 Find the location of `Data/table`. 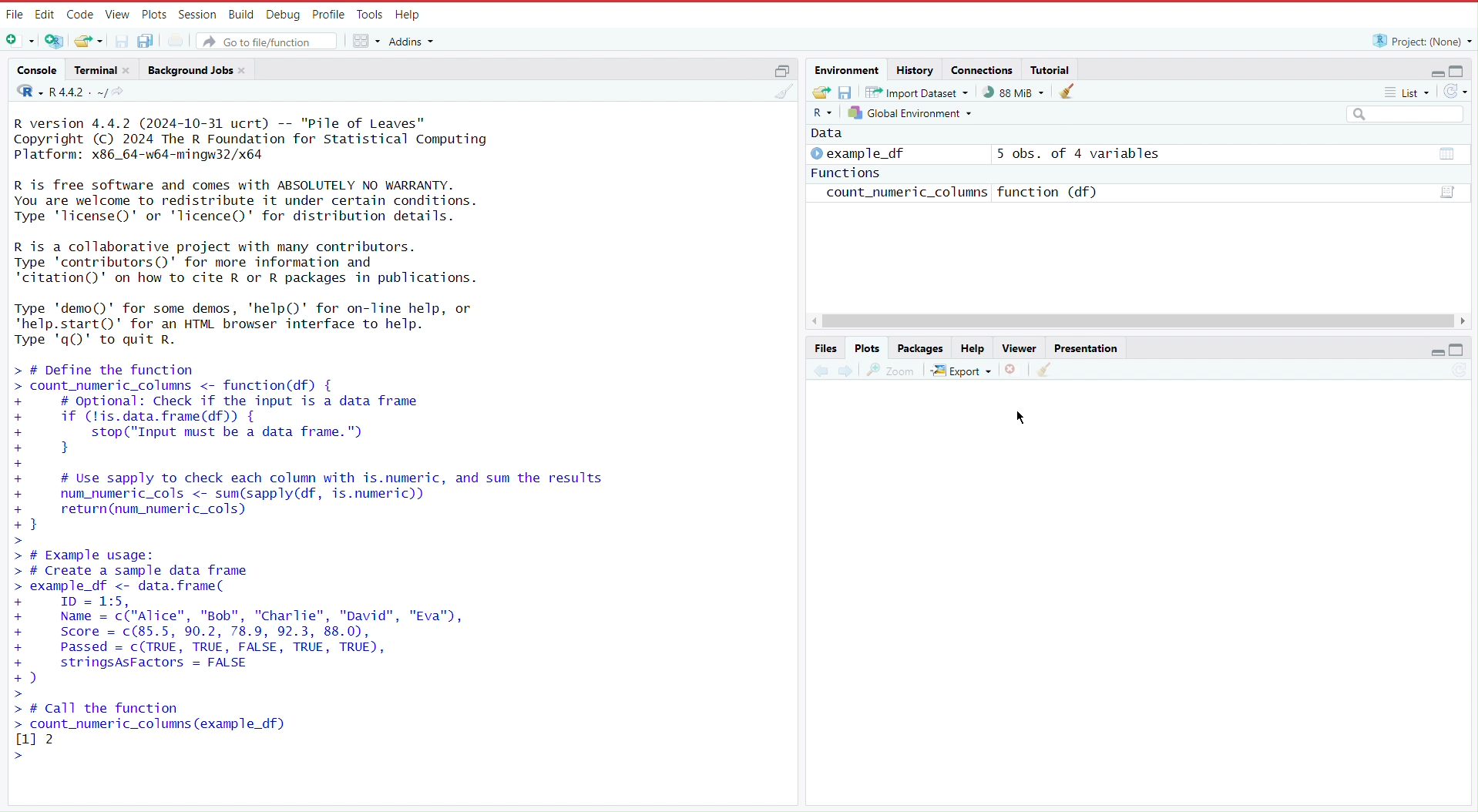

Data/table is located at coordinates (1442, 156).